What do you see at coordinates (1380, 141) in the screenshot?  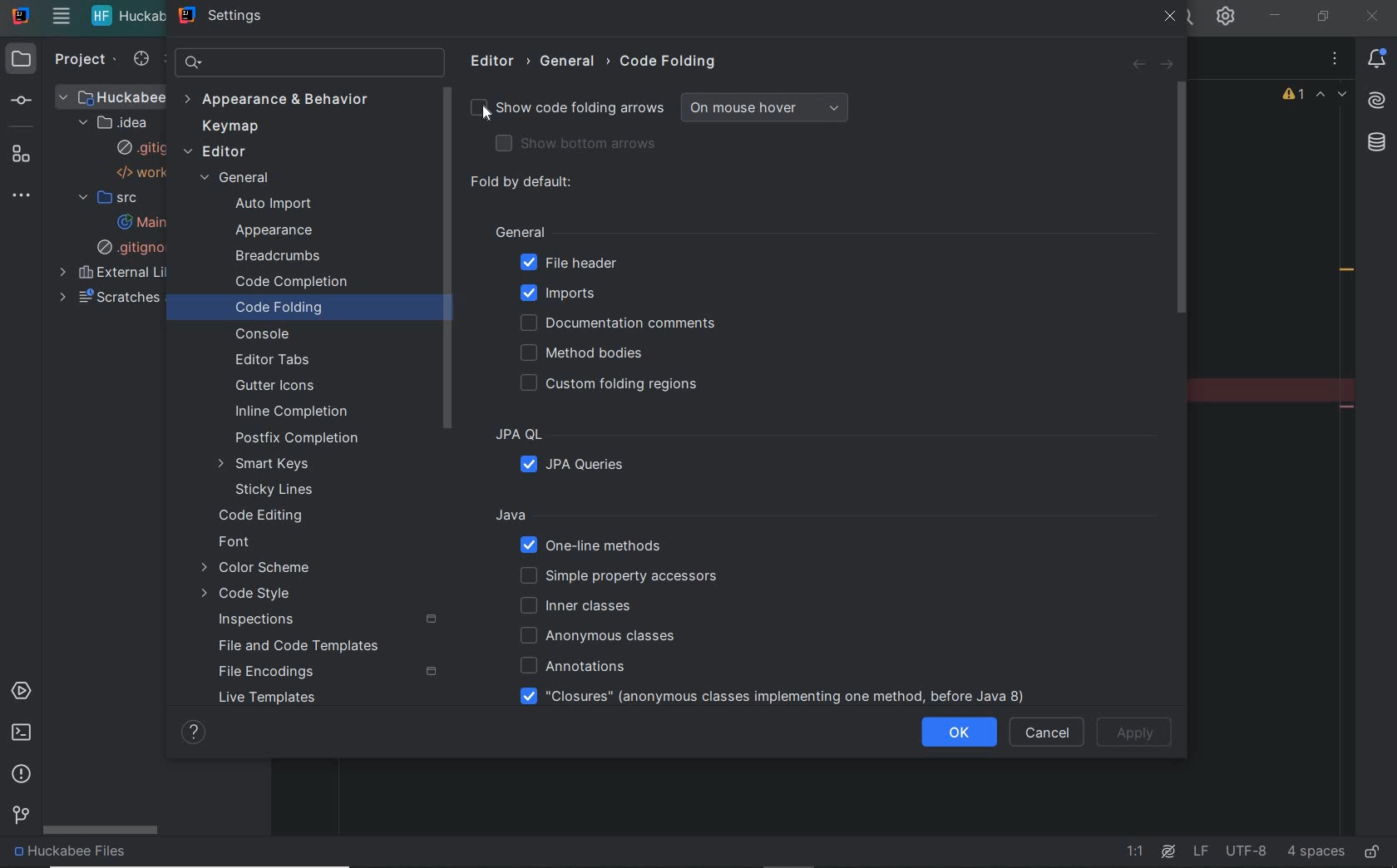 I see `database` at bounding box center [1380, 141].